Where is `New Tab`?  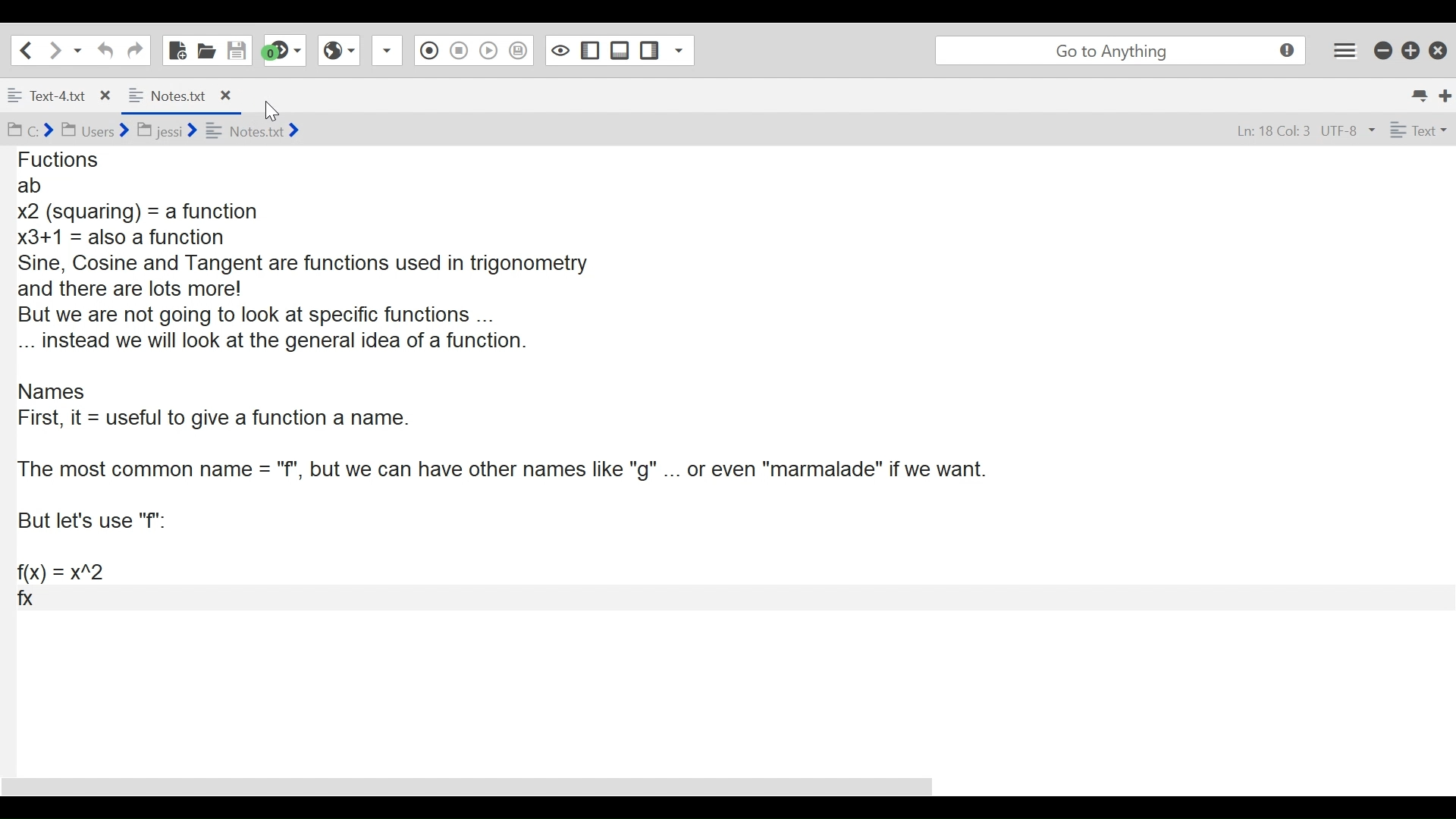 New Tab is located at coordinates (1445, 93).